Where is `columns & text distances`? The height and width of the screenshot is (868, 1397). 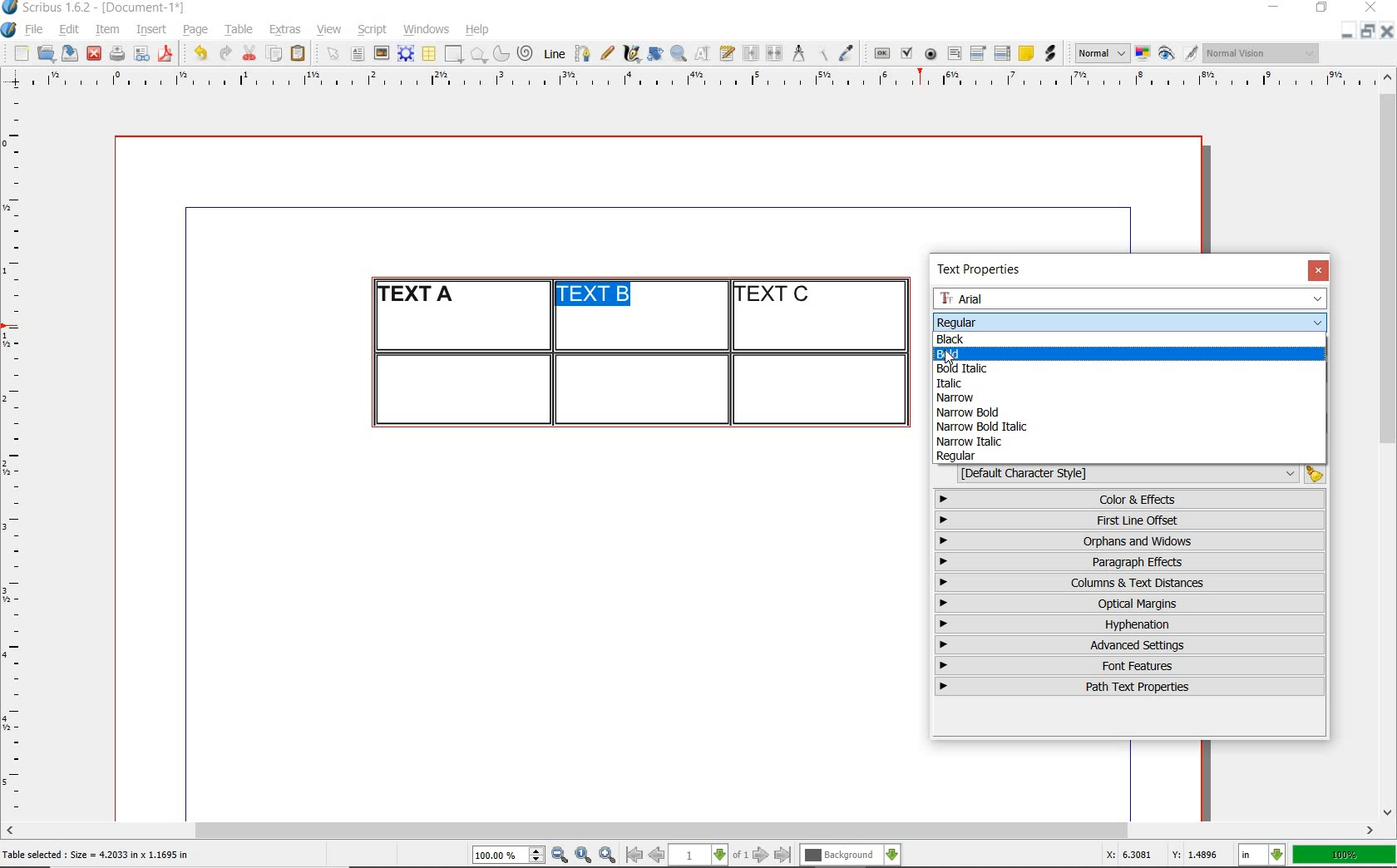
columns & text distances is located at coordinates (1133, 583).